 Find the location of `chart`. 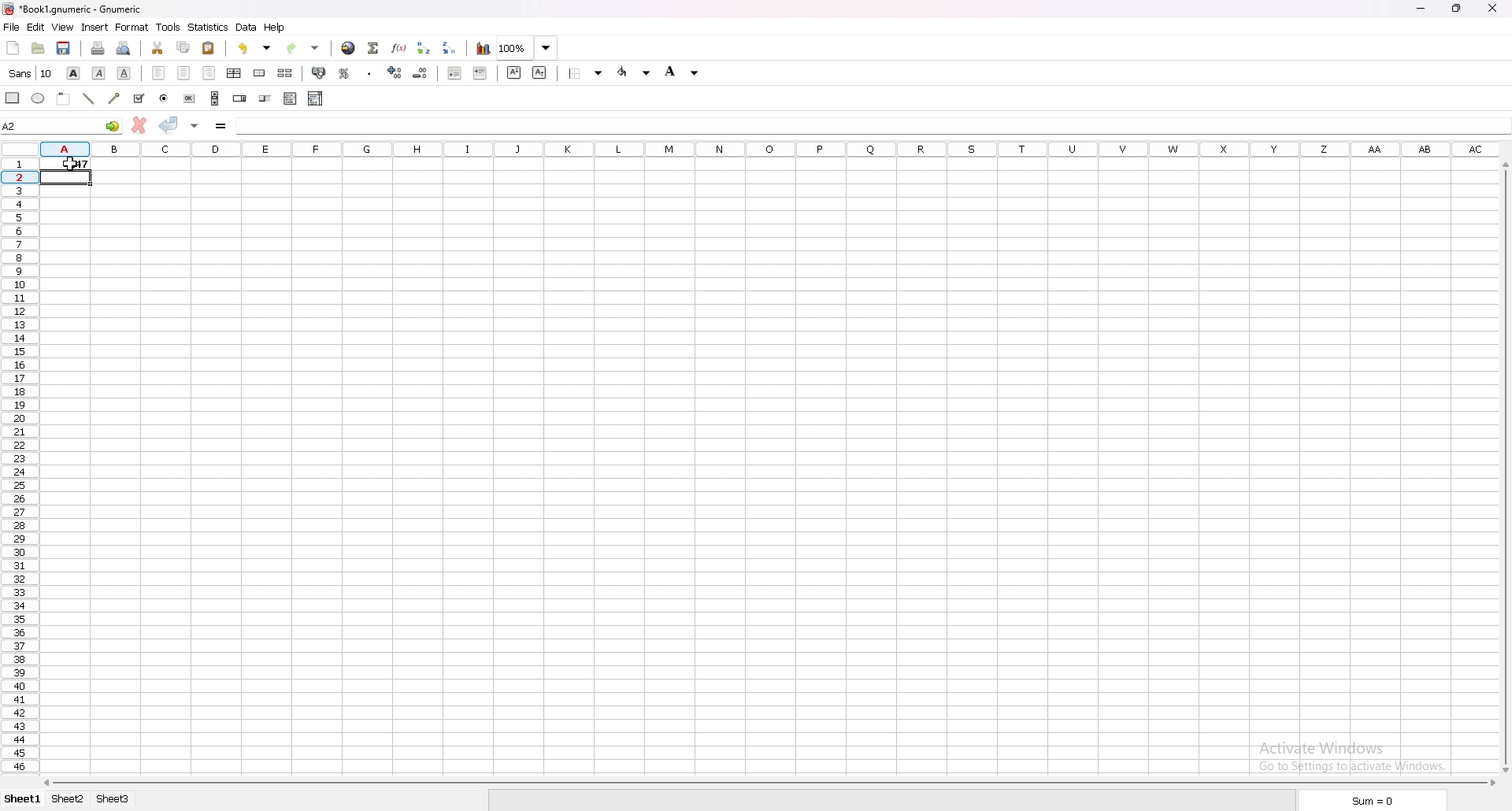

chart is located at coordinates (484, 49).